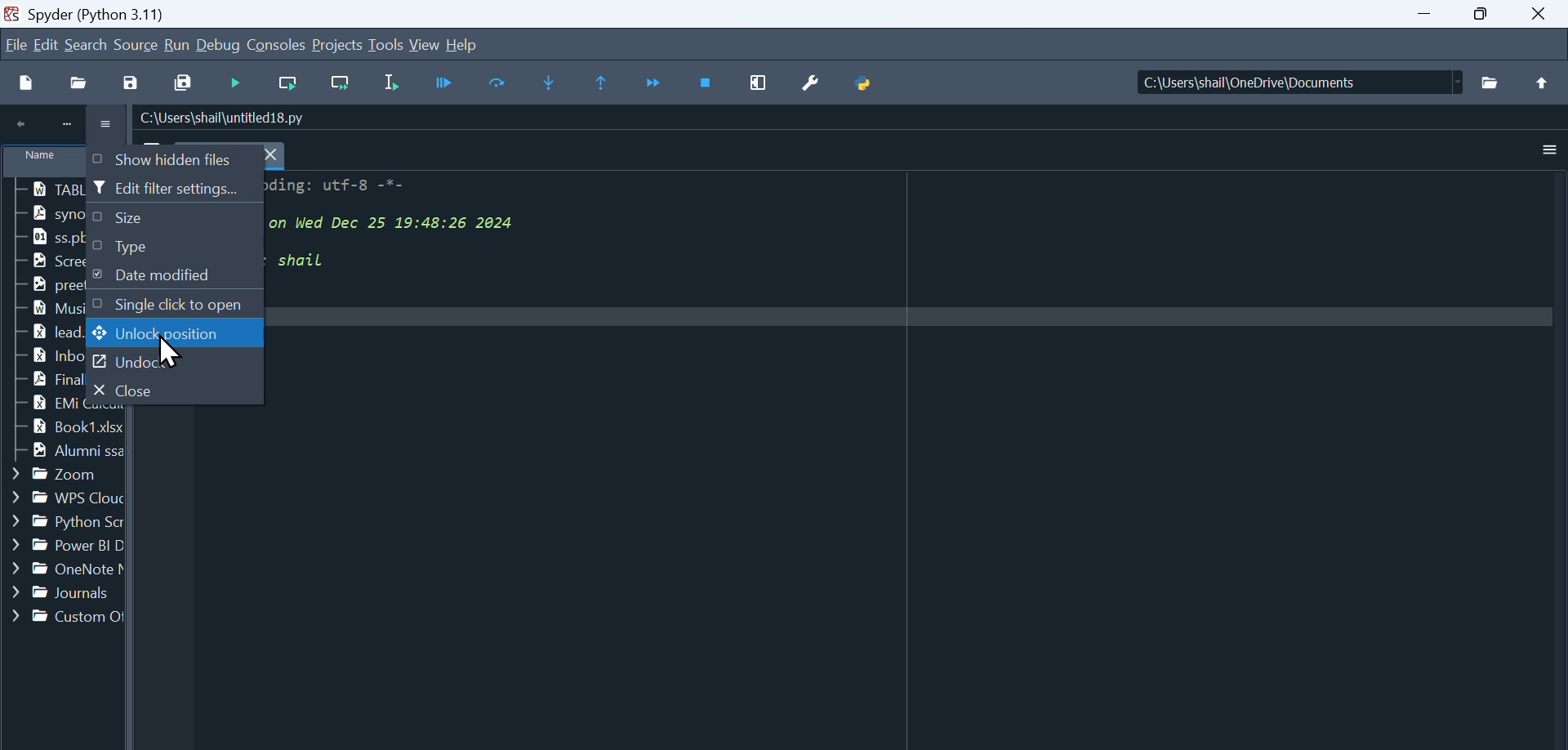 This screenshot has width=1568, height=750. What do you see at coordinates (866, 78) in the screenshot?
I see `Python path manager` at bounding box center [866, 78].